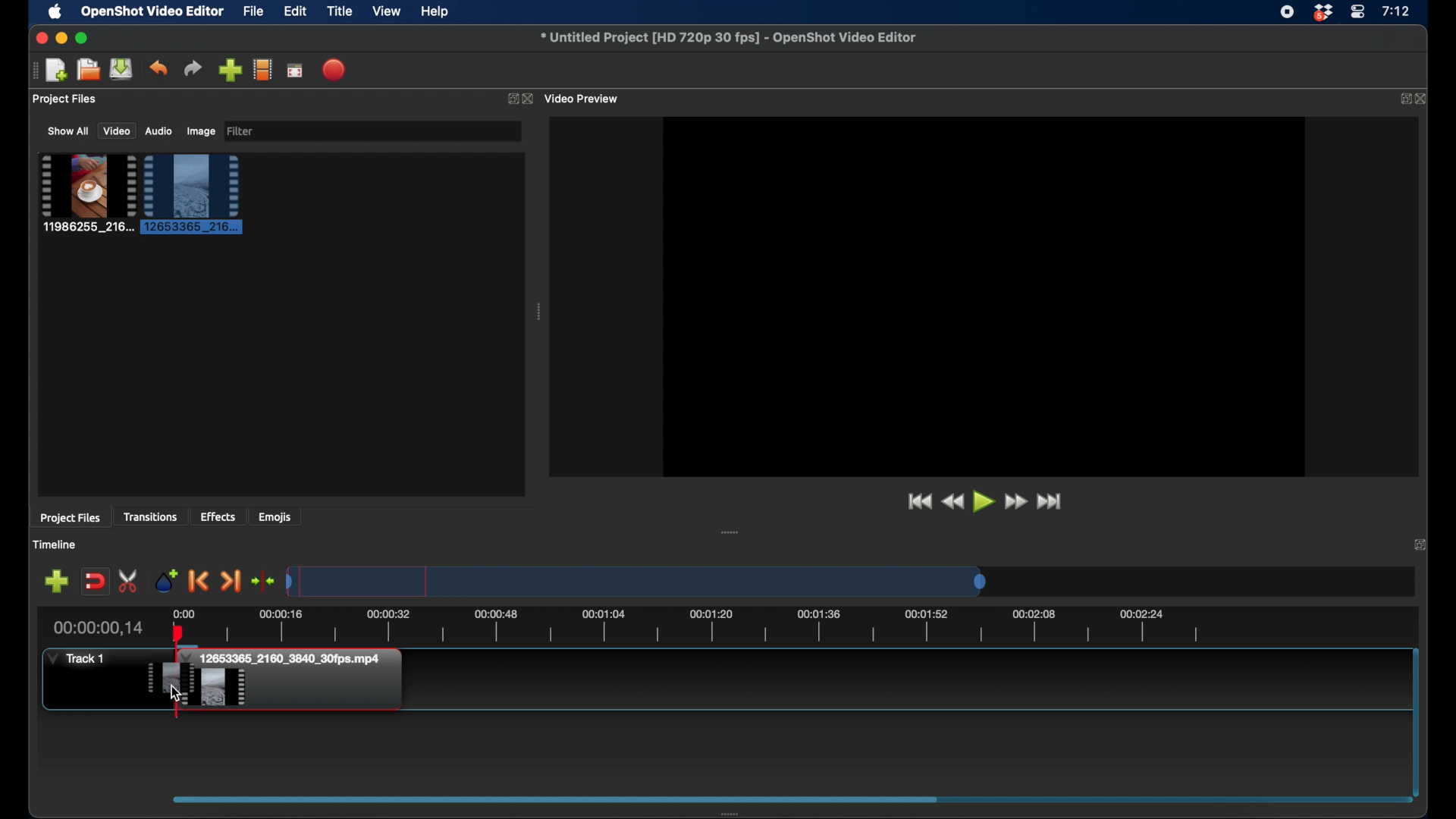 Image resolution: width=1456 pixels, height=819 pixels. What do you see at coordinates (1287, 12) in the screenshot?
I see `screen recorder icon` at bounding box center [1287, 12].